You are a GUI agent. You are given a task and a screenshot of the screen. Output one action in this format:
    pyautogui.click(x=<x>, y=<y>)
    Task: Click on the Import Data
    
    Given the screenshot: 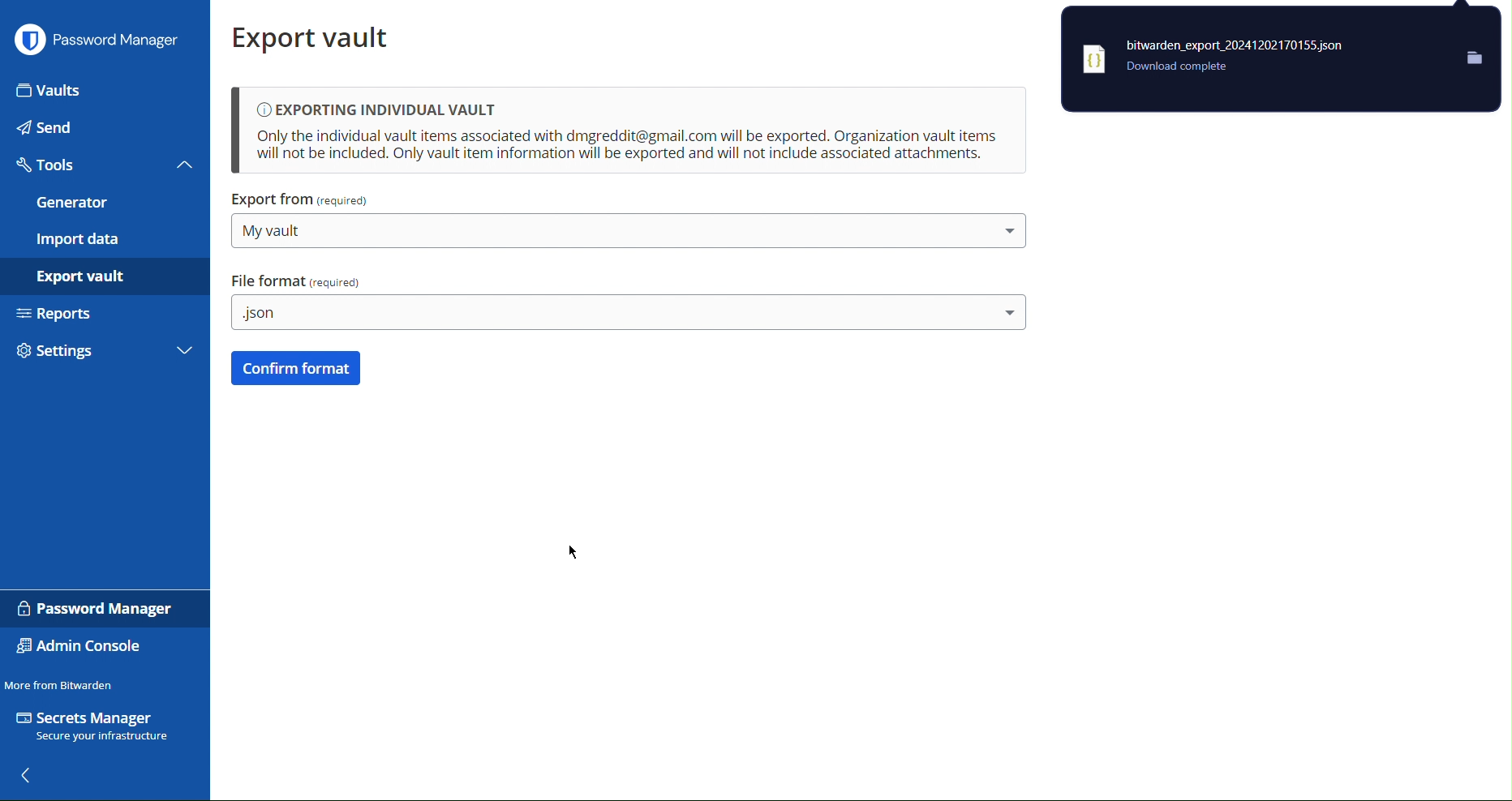 What is the action you would take?
    pyautogui.click(x=79, y=240)
    